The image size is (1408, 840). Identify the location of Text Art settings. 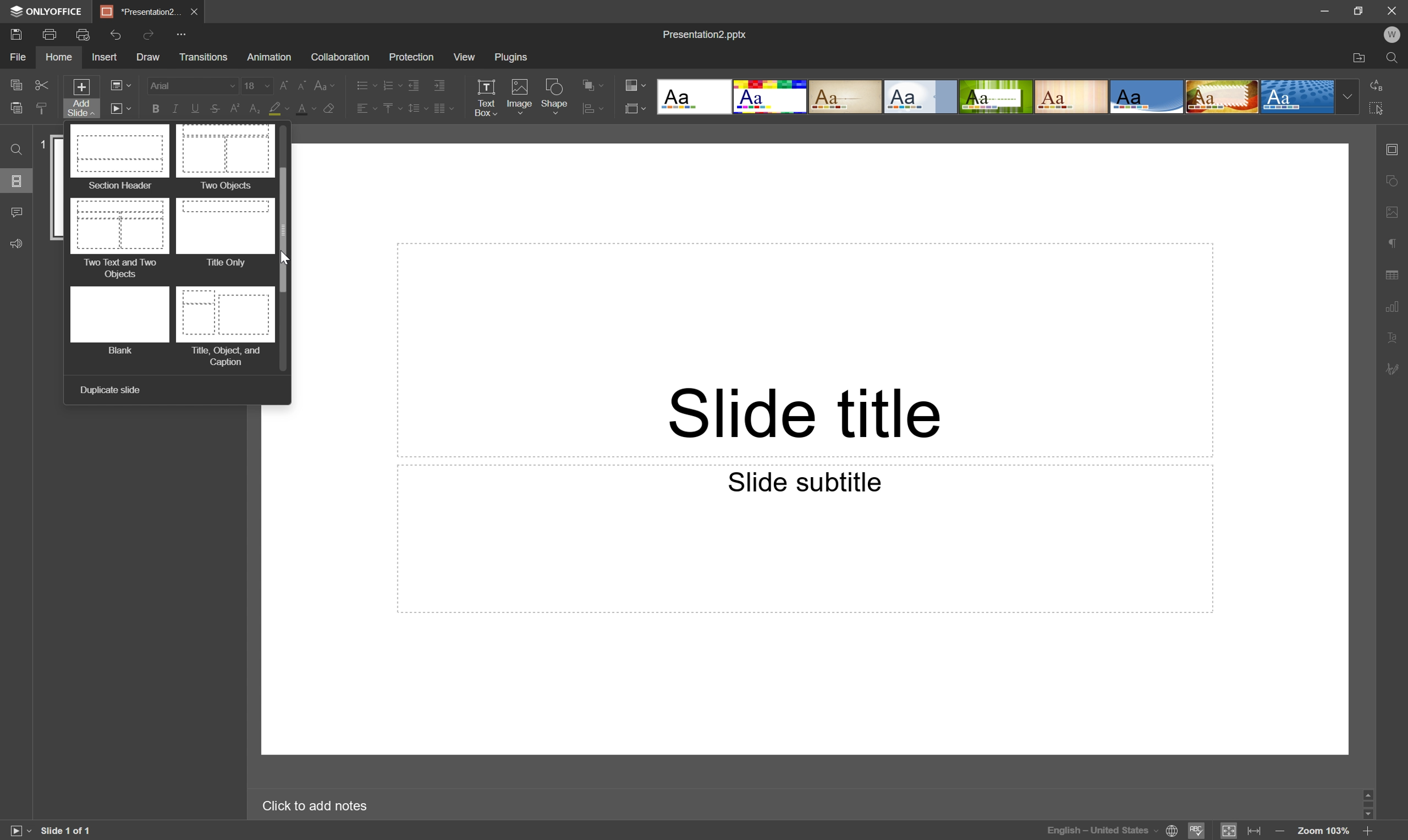
(1395, 336).